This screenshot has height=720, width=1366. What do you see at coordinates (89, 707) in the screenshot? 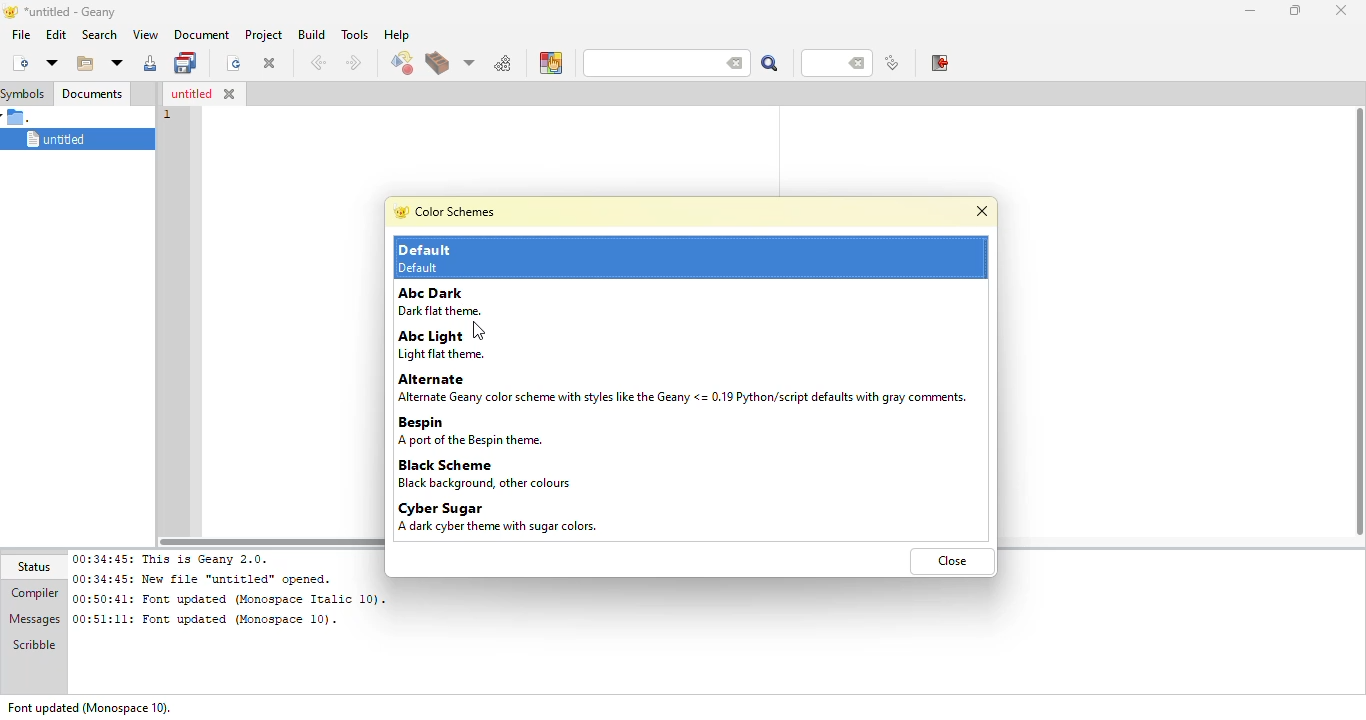
I see `font updated (monospace 10).` at bounding box center [89, 707].